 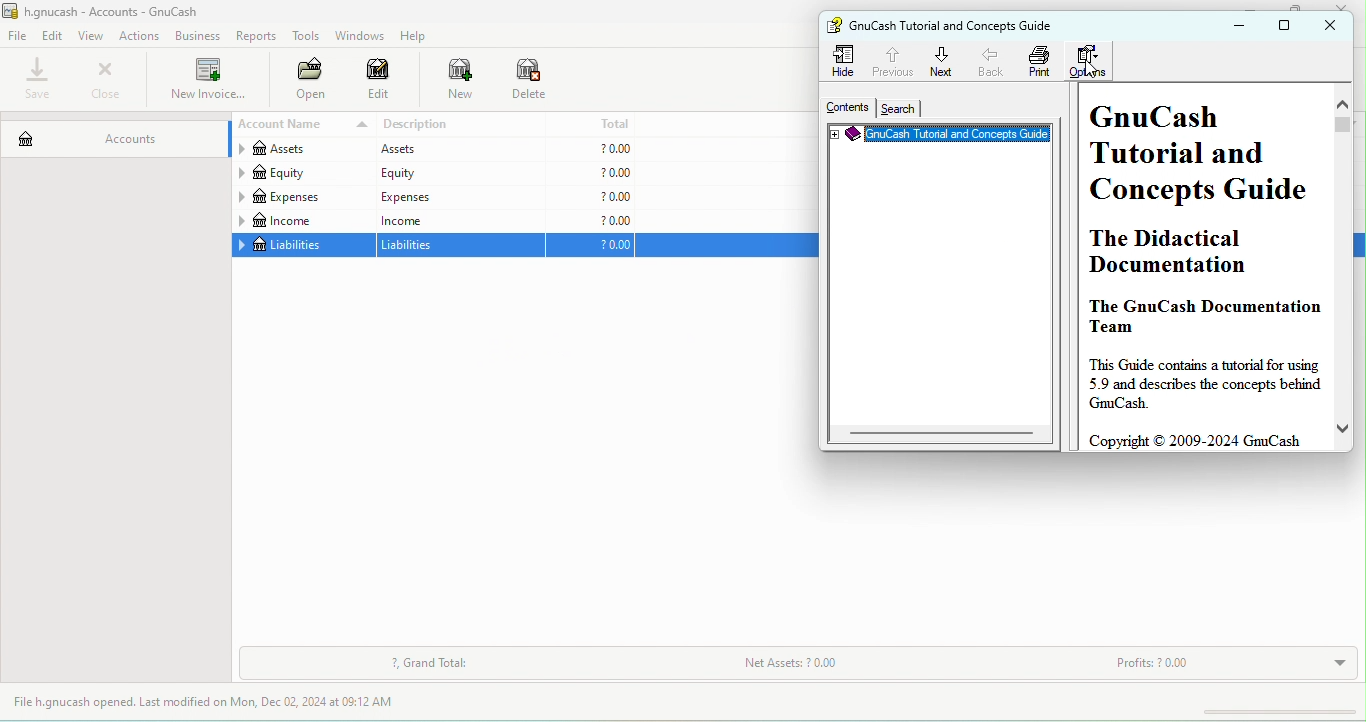 I want to click on edit, so click(x=54, y=35).